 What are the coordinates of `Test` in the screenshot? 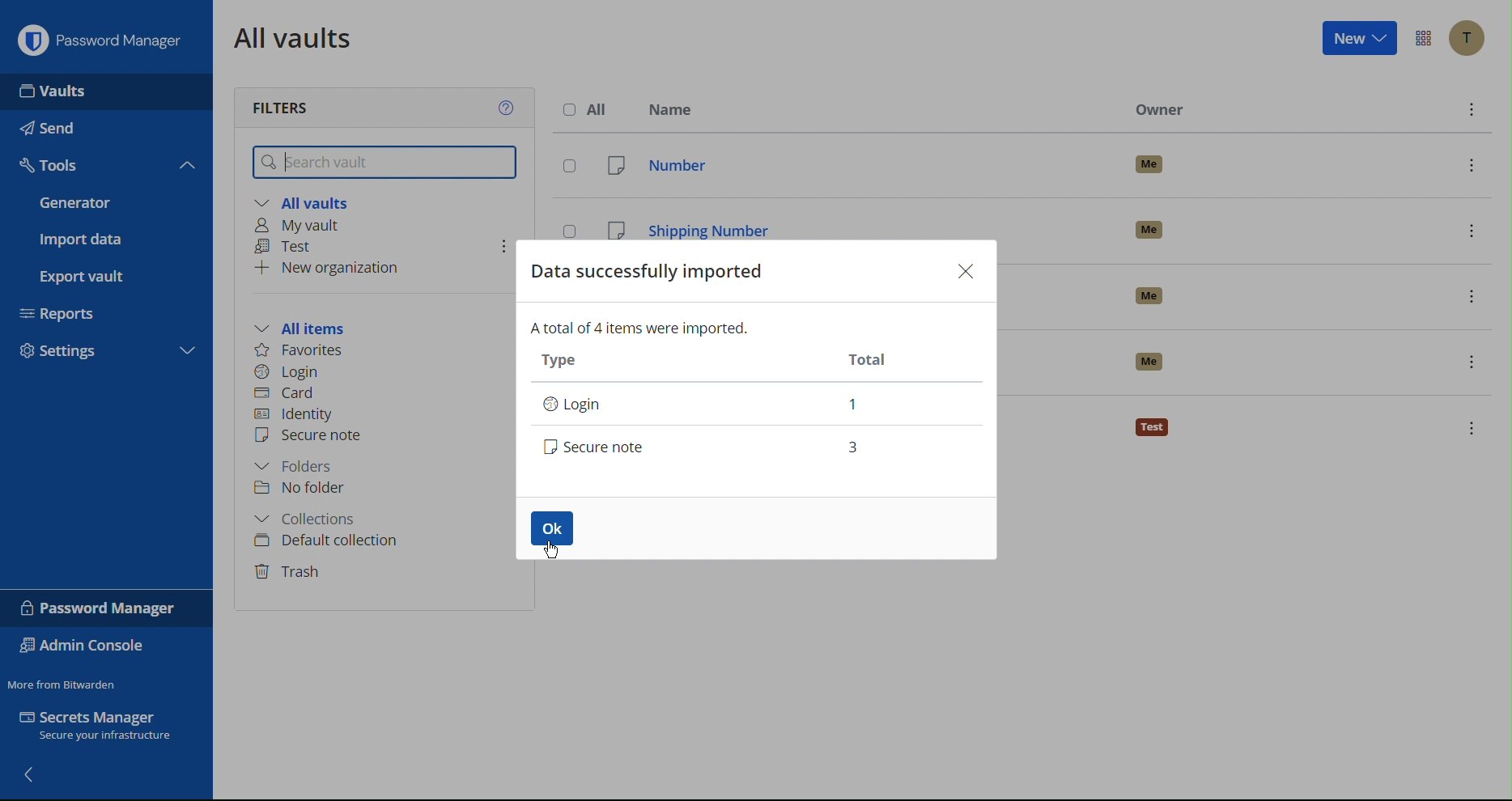 It's located at (289, 247).